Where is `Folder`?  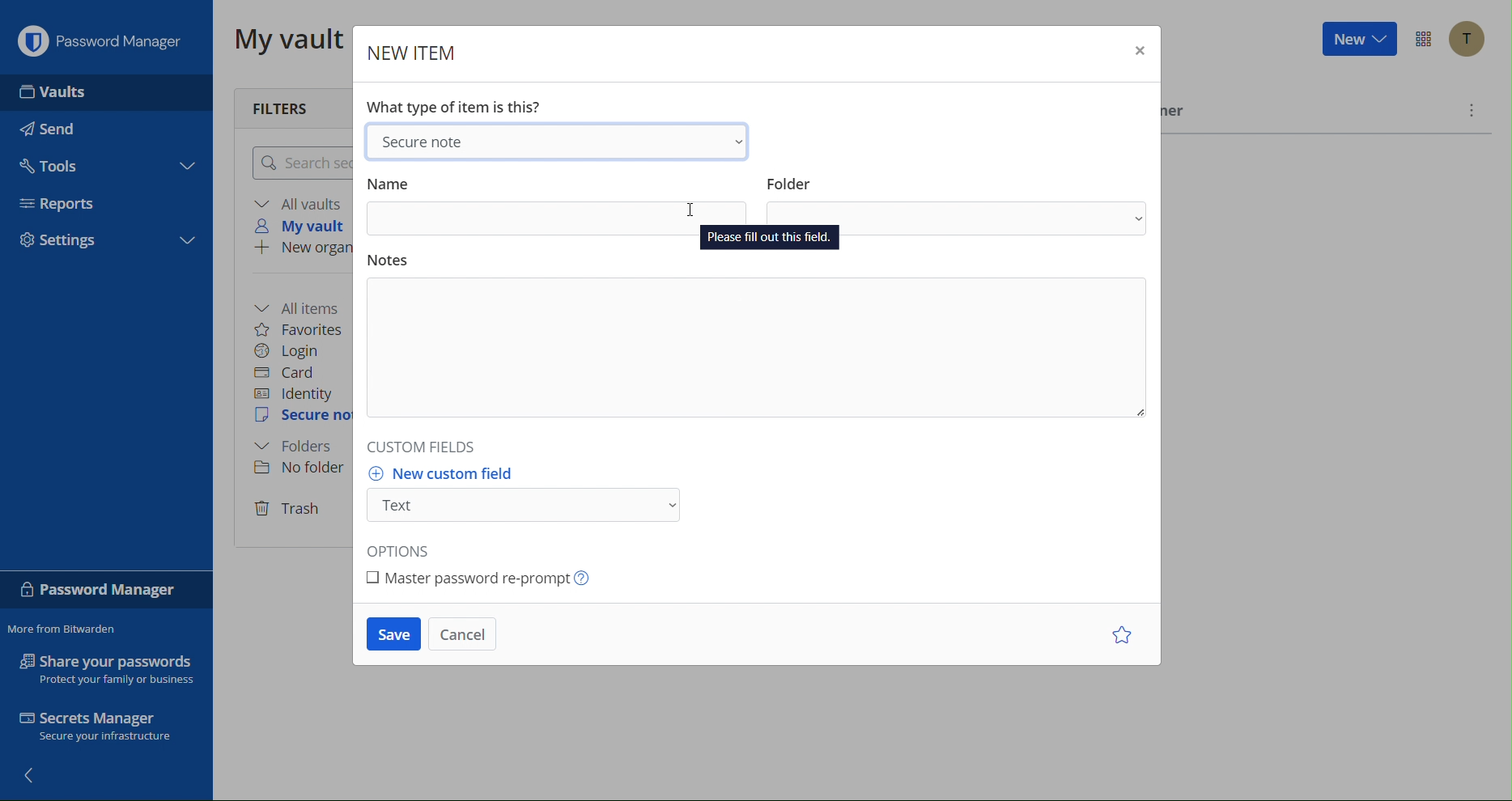 Folder is located at coordinates (955, 206).